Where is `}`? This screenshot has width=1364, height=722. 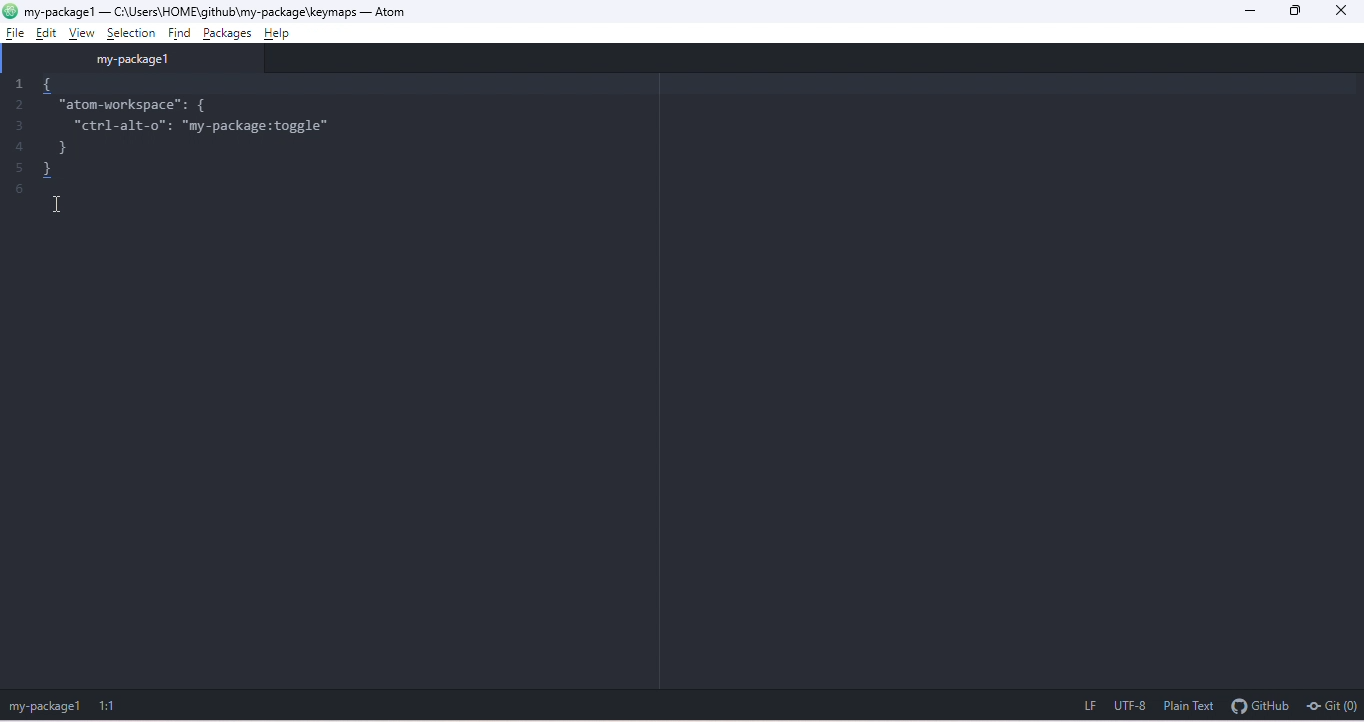
} is located at coordinates (104, 150).